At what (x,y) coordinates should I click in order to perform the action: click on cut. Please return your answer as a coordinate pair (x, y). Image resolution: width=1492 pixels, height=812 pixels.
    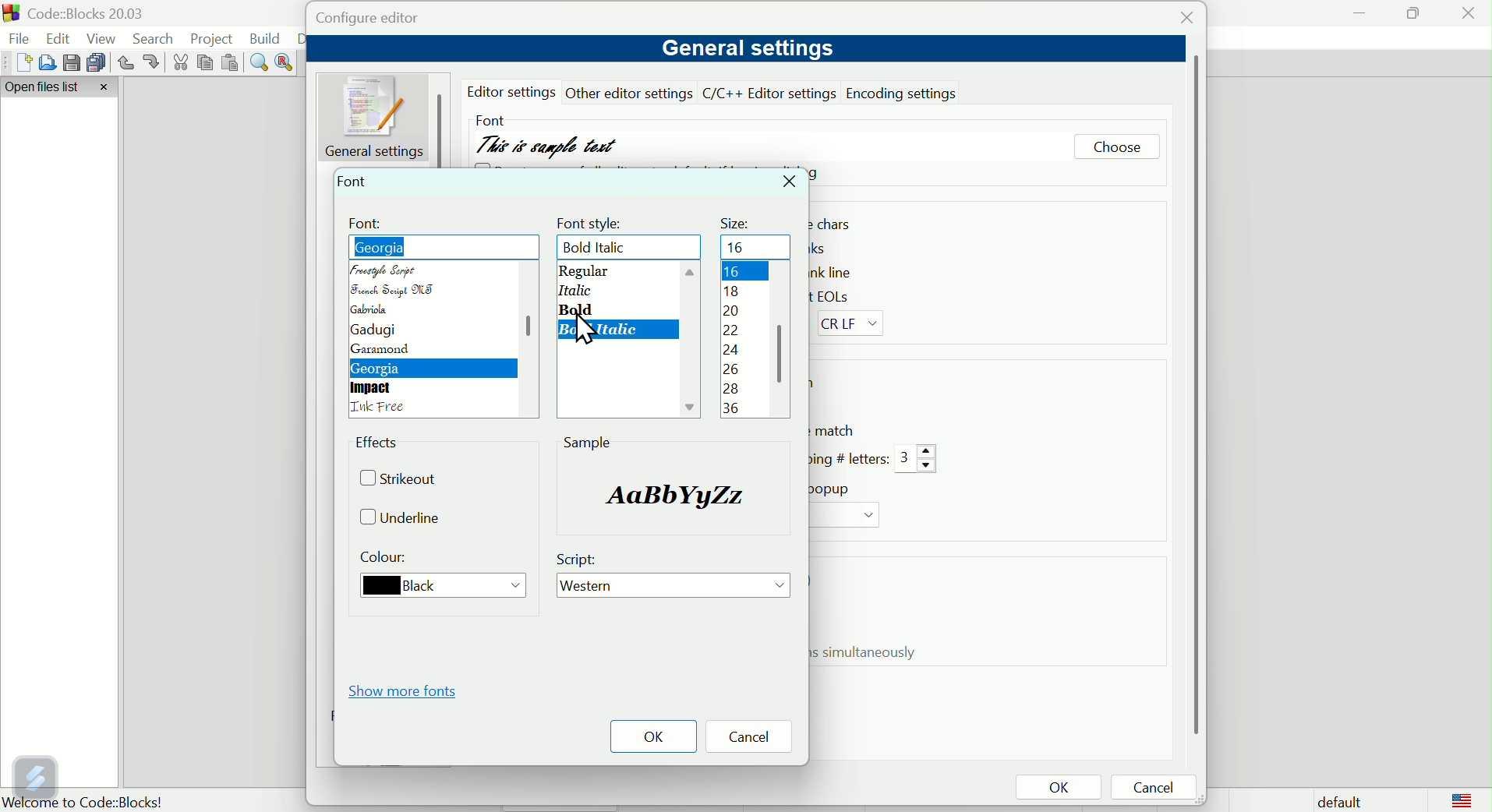
    Looking at the image, I should click on (182, 63).